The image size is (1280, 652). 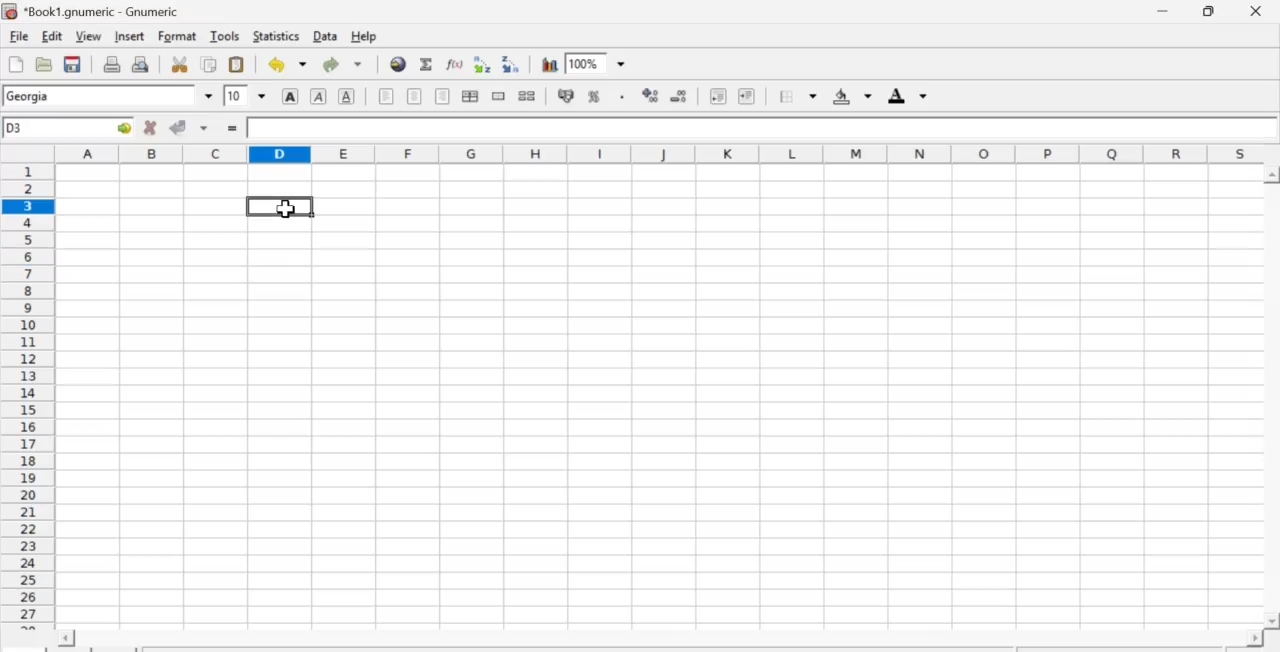 I want to click on Edit function, so click(x=454, y=67).